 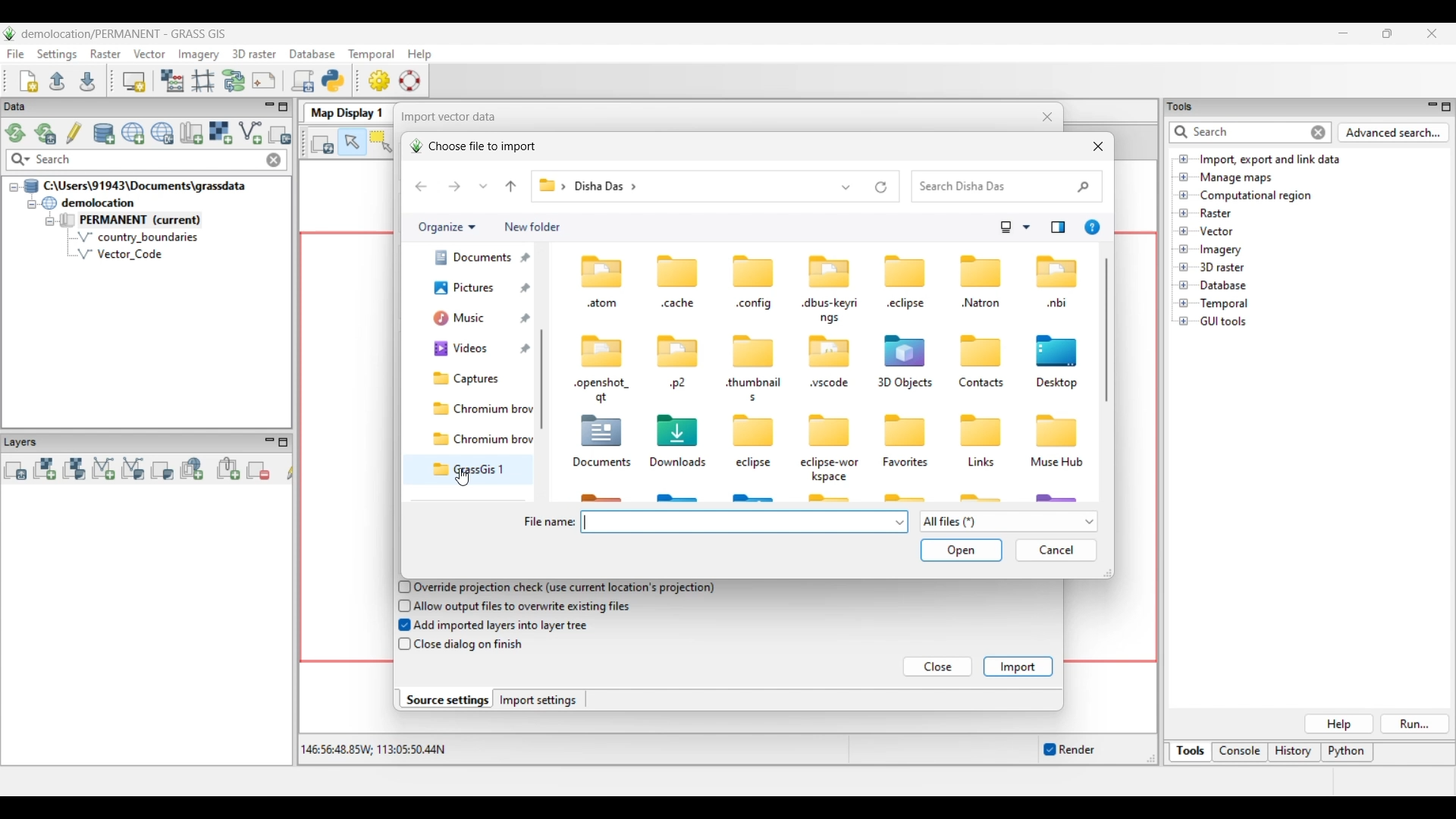 What do you see at coordinates (1430, 106) in the screenshot?
I see `Minimize Tools panel` at bounding box center [1430, 106].